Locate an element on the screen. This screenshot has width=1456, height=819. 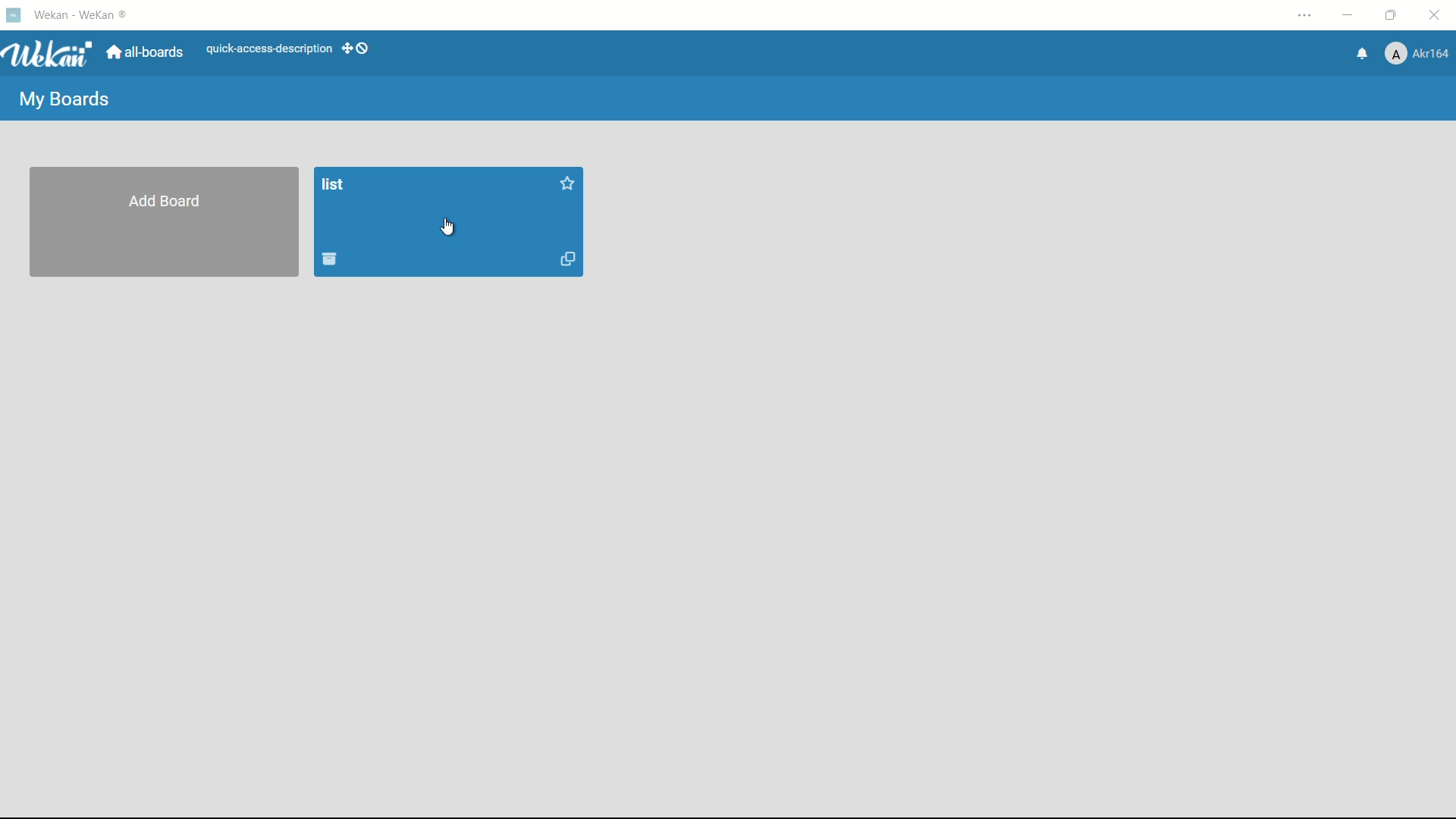
maximize is located at coordinates (1391, 16).